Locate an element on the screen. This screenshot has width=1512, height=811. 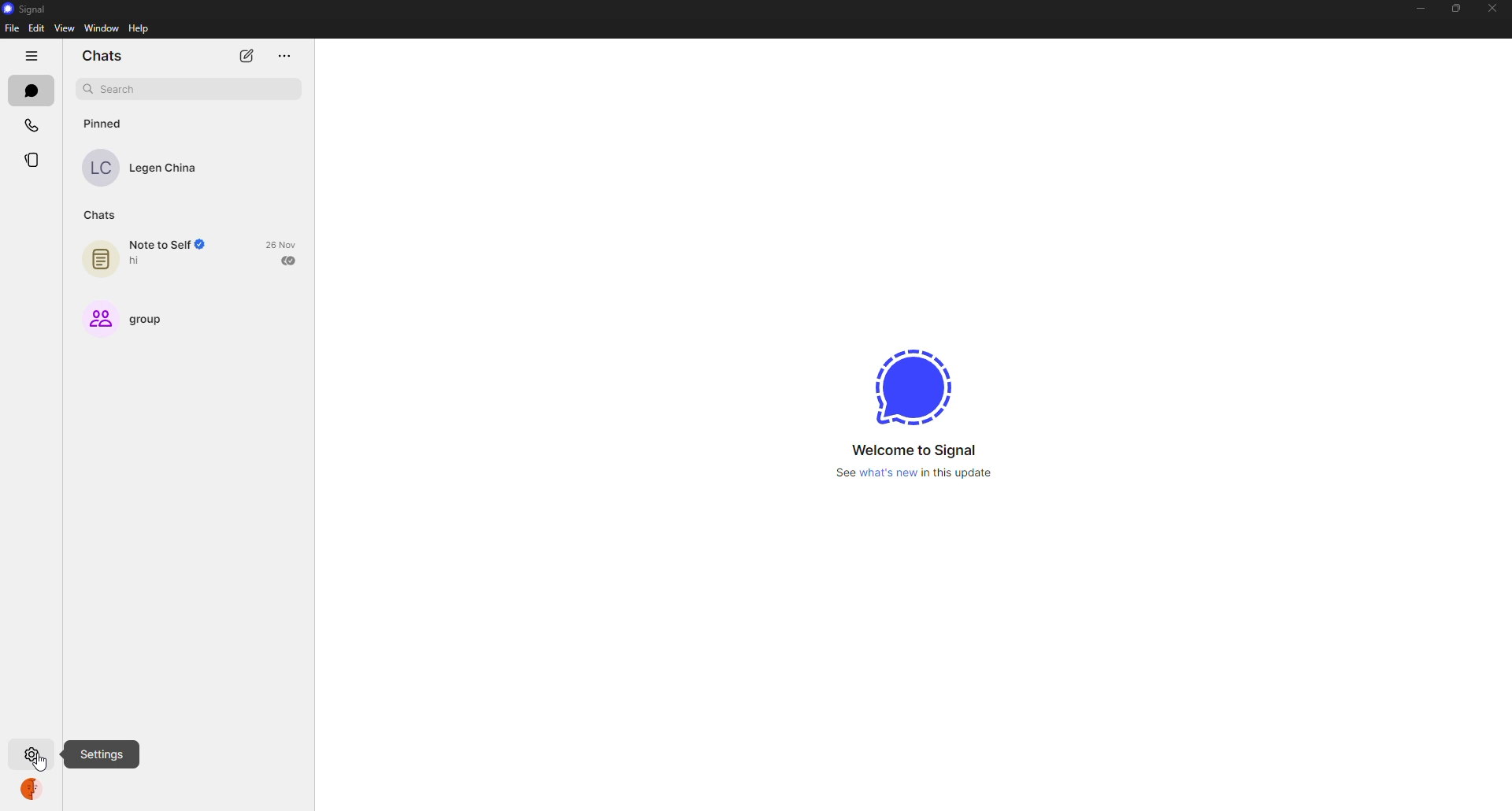
note to self is located at coordinates (154, 256).